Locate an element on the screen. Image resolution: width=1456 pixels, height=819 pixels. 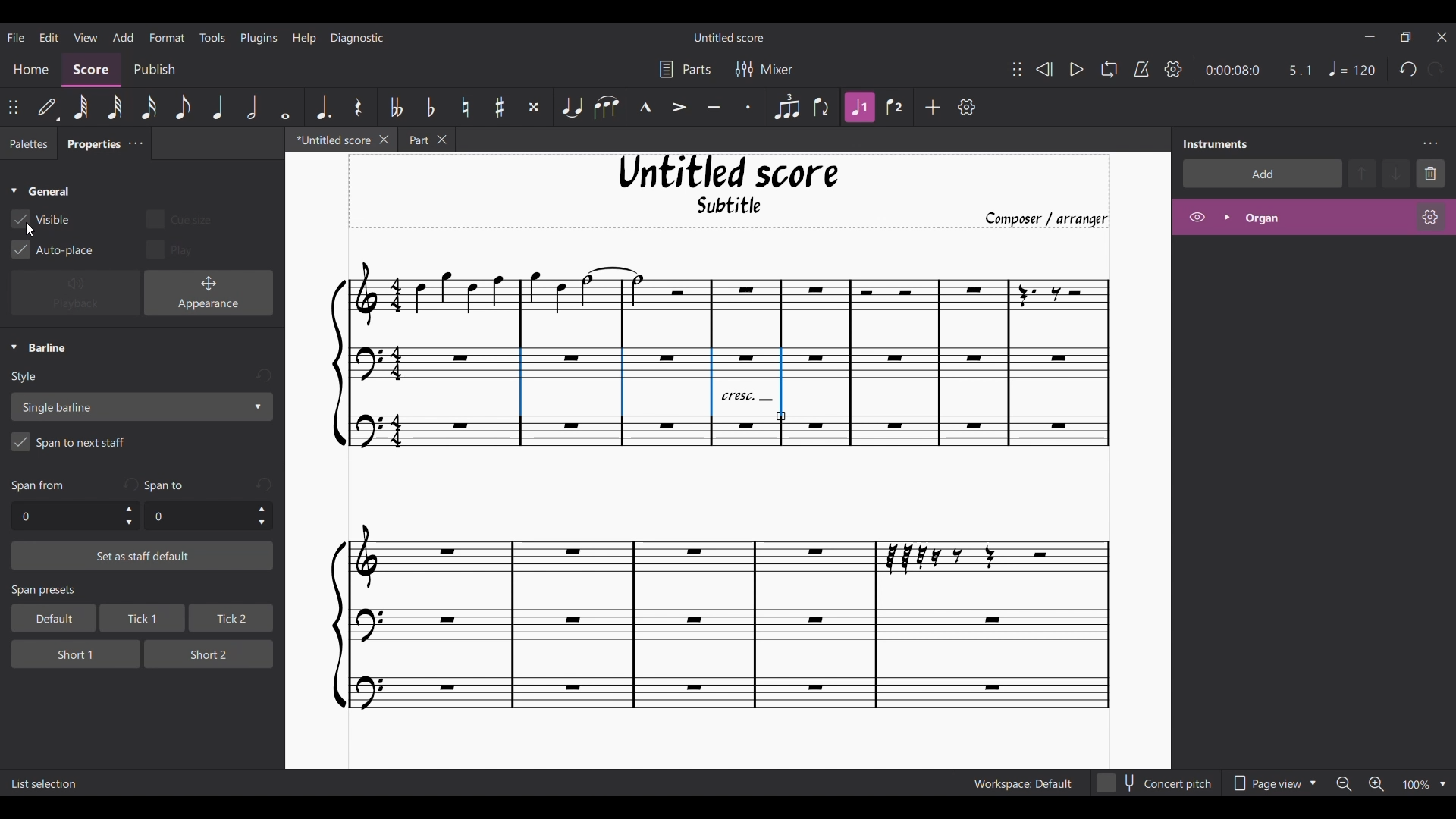
Minimize is located at coordinates (1370, 36).